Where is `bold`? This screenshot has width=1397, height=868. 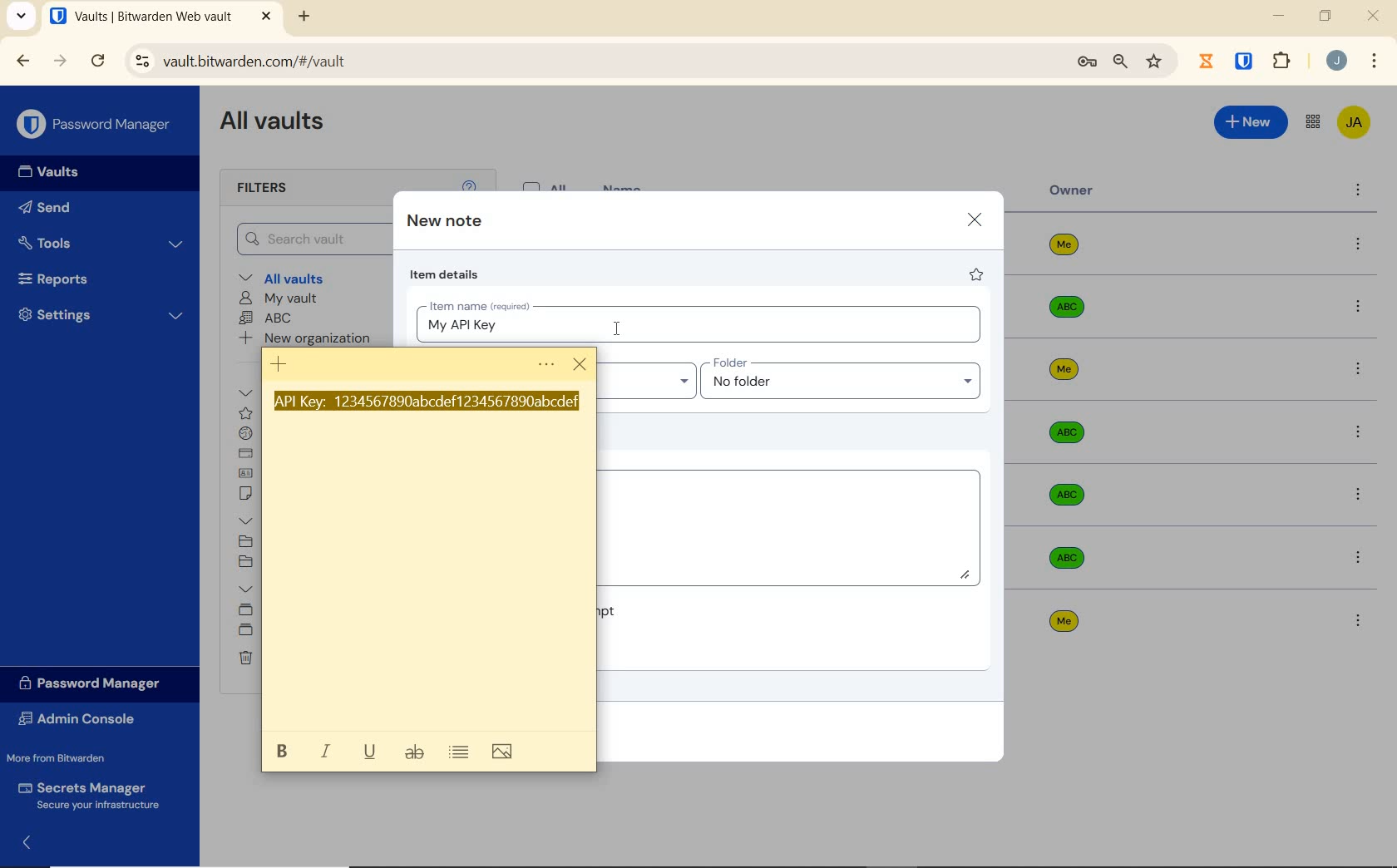
bold is located at coordinates (281, 751).